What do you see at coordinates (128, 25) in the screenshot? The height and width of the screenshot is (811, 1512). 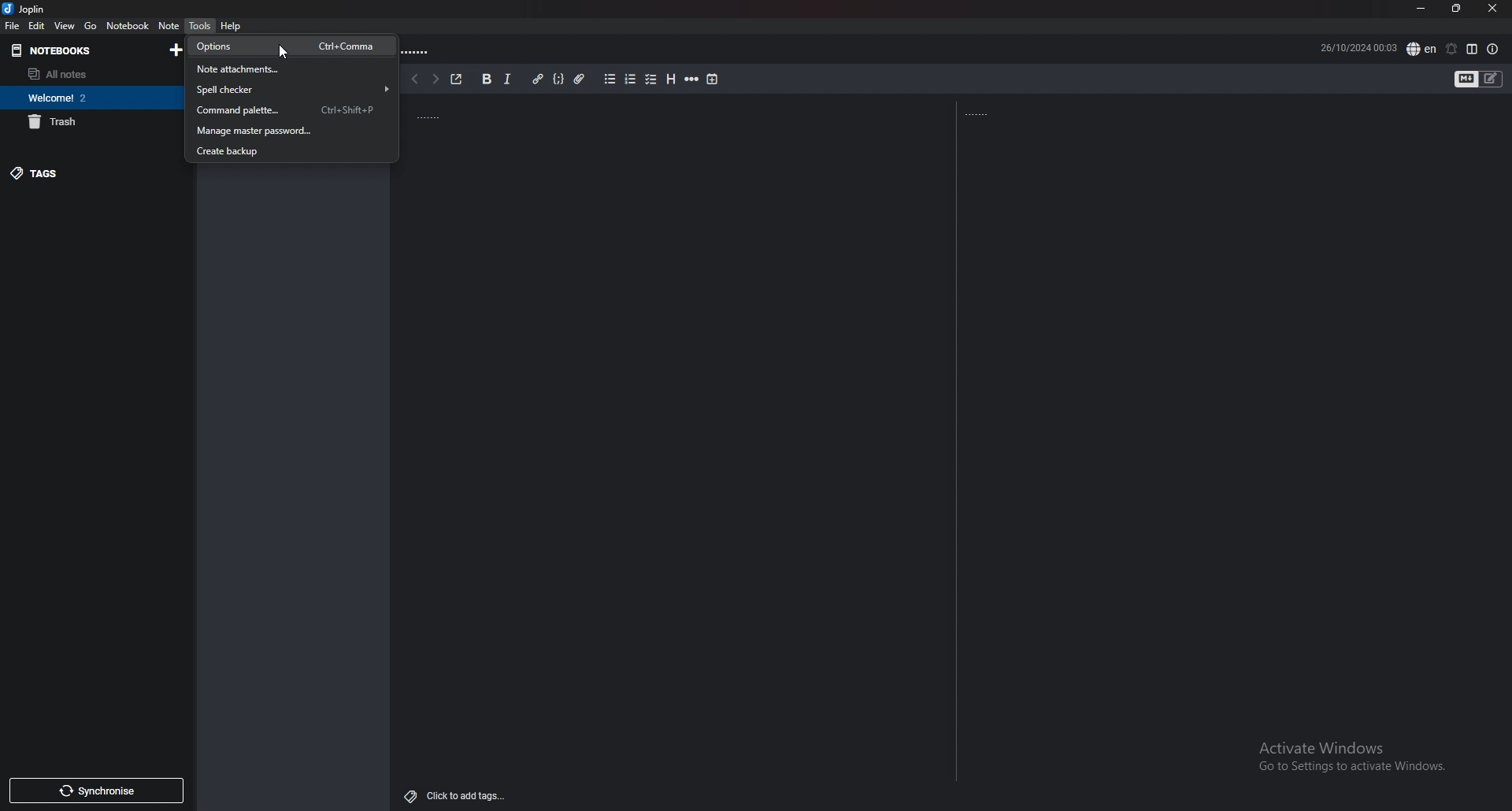 I see `notebook` at bounding box center [128, 25].